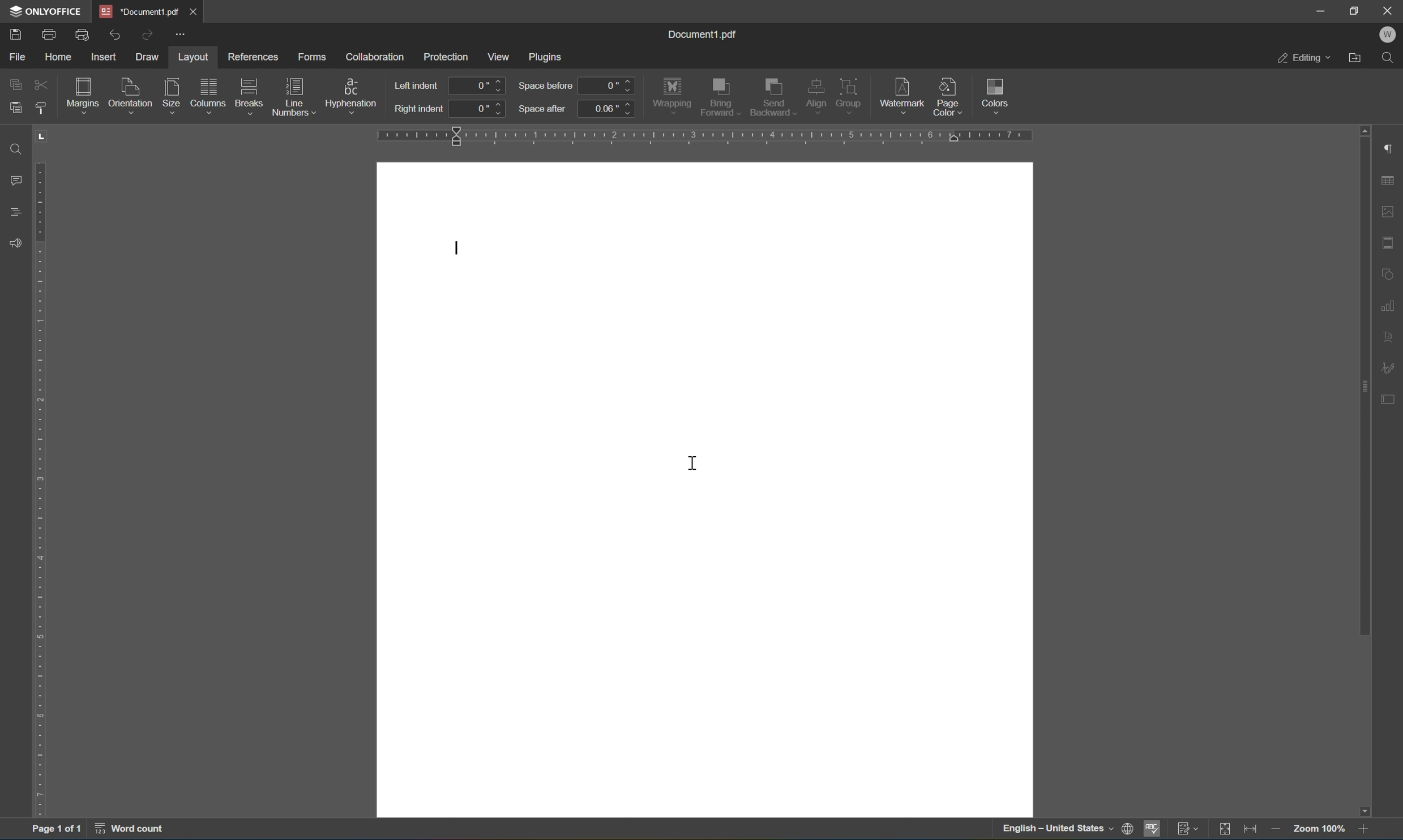 The width and height of the screenshot is (1403, 840). Describe the element at coordinates (1275, 830) in the screenshot. I see `zoom out` at that location.